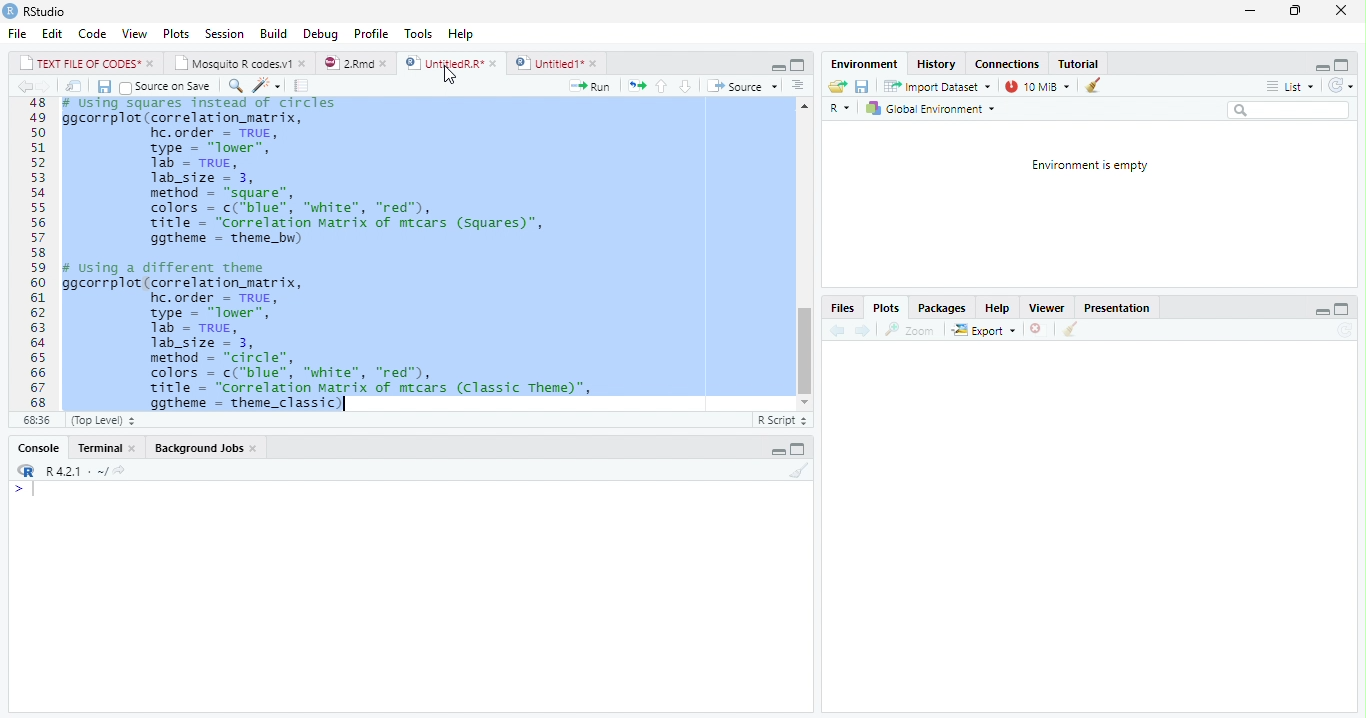 The width and height of the screenshot is (1366, 718). Describe the element at coordinates (777, 450) in the screenshot. I see `hide r script` at that location.